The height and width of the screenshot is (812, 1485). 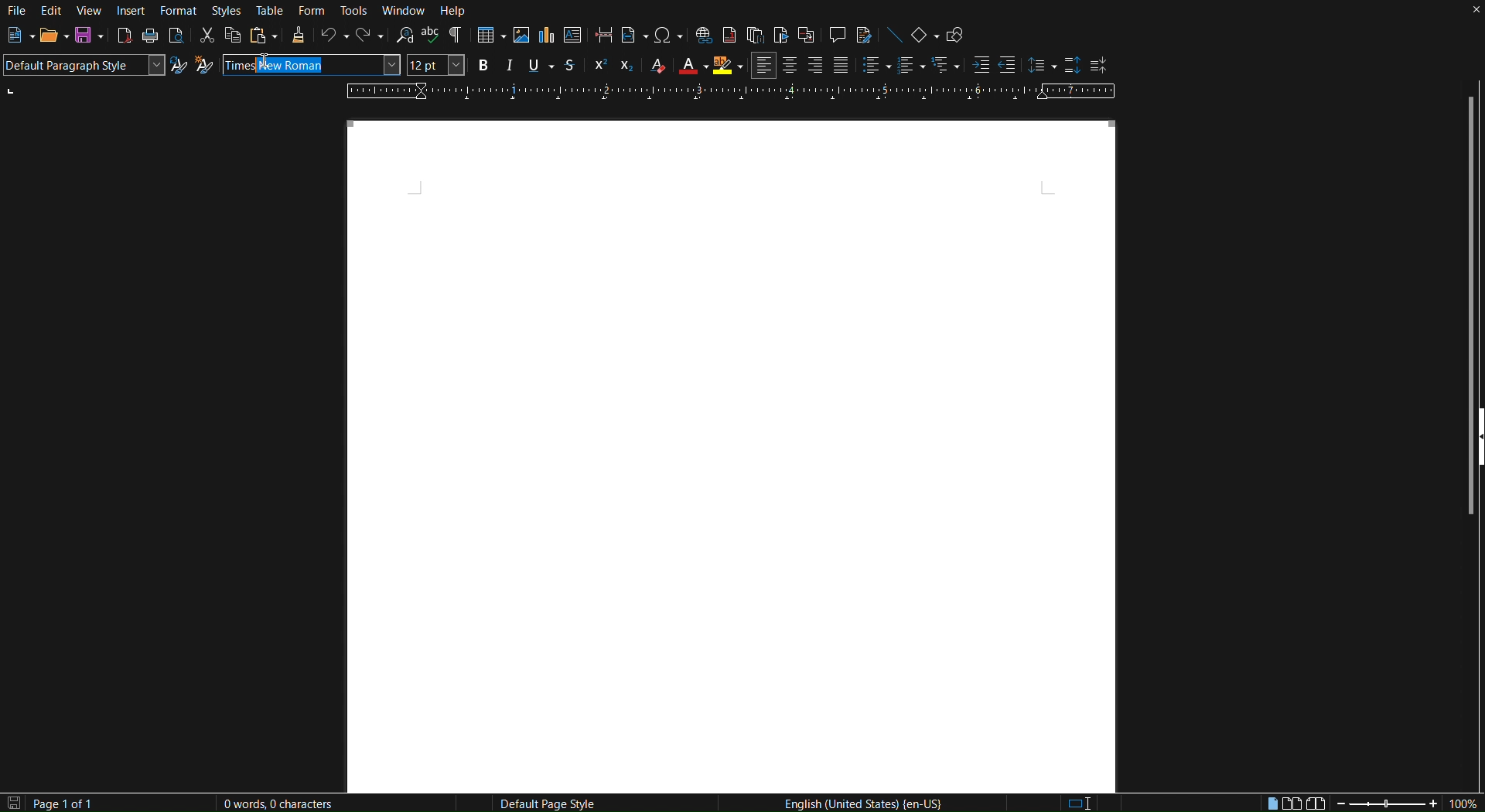 What do you see at coordinates (835, 37) in the screenshot?
I see `Insert Comment` at bounding box center [835, 37].